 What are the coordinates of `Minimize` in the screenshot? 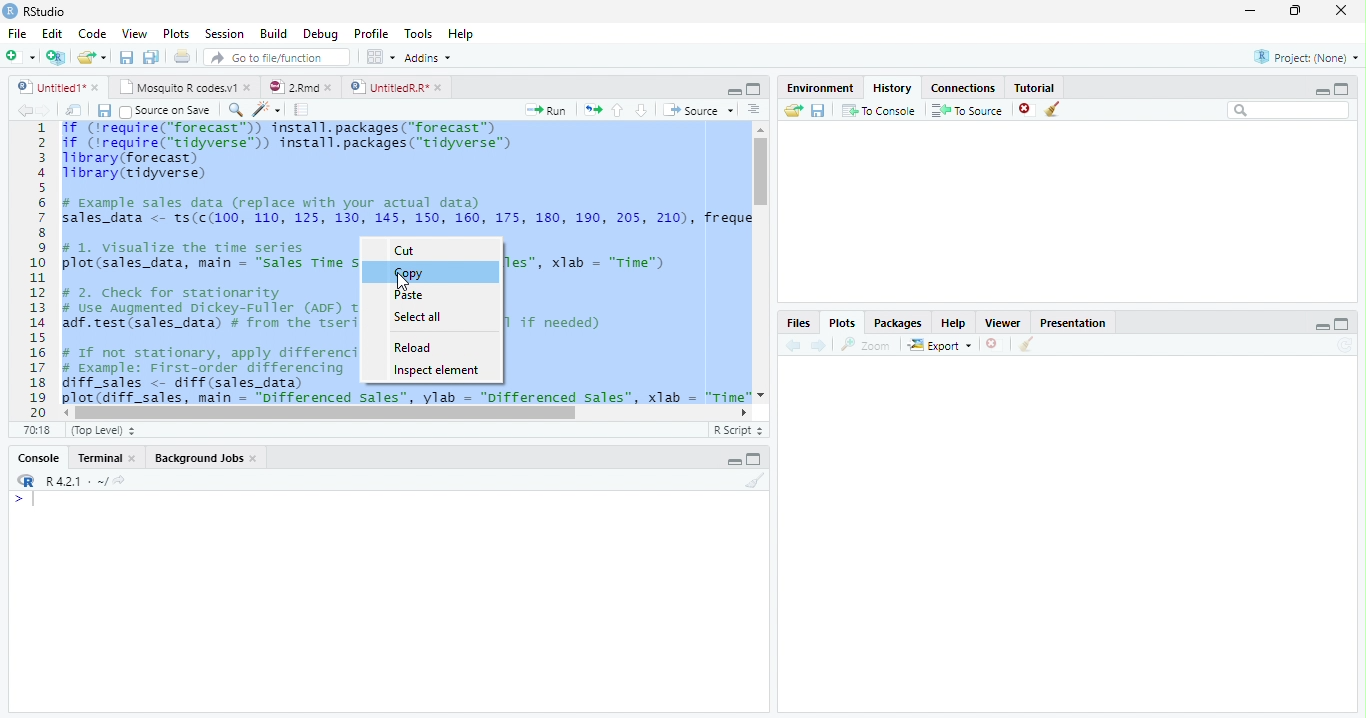 It's located at (1252, 10).